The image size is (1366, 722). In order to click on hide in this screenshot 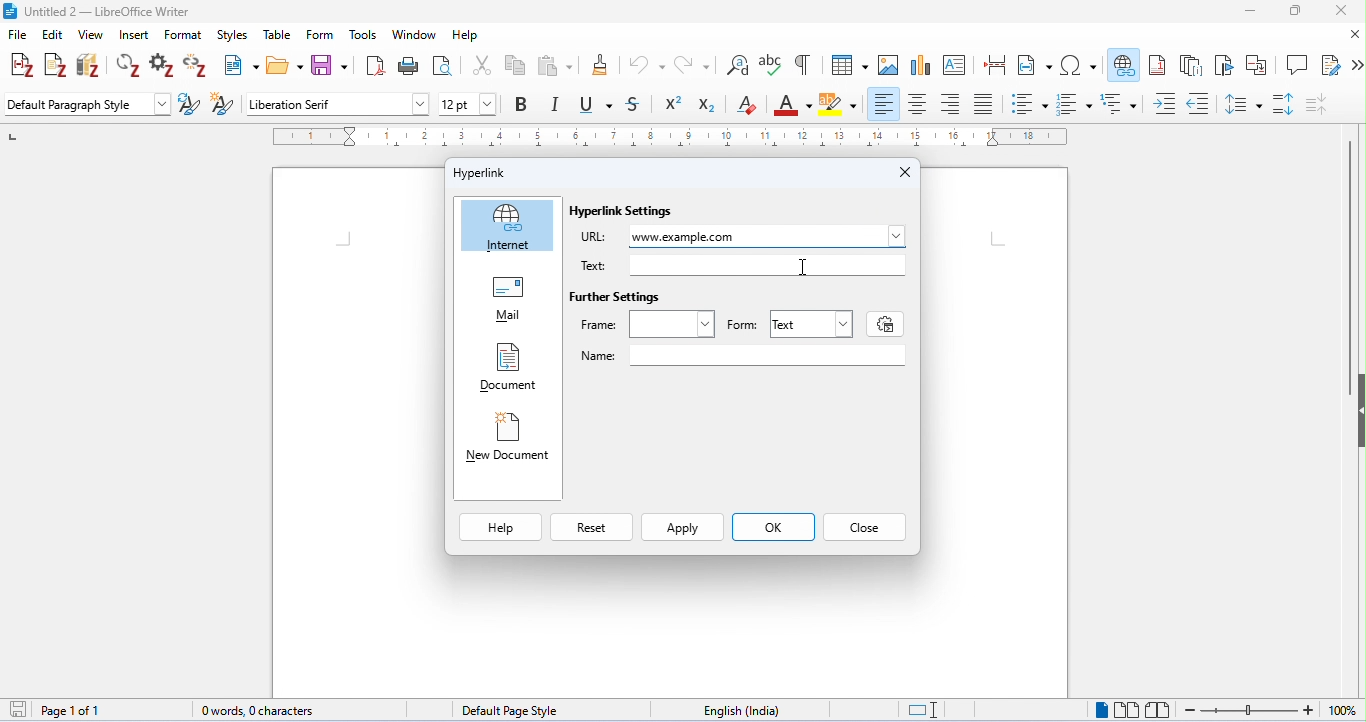, I will do `click(1357, 413)`.